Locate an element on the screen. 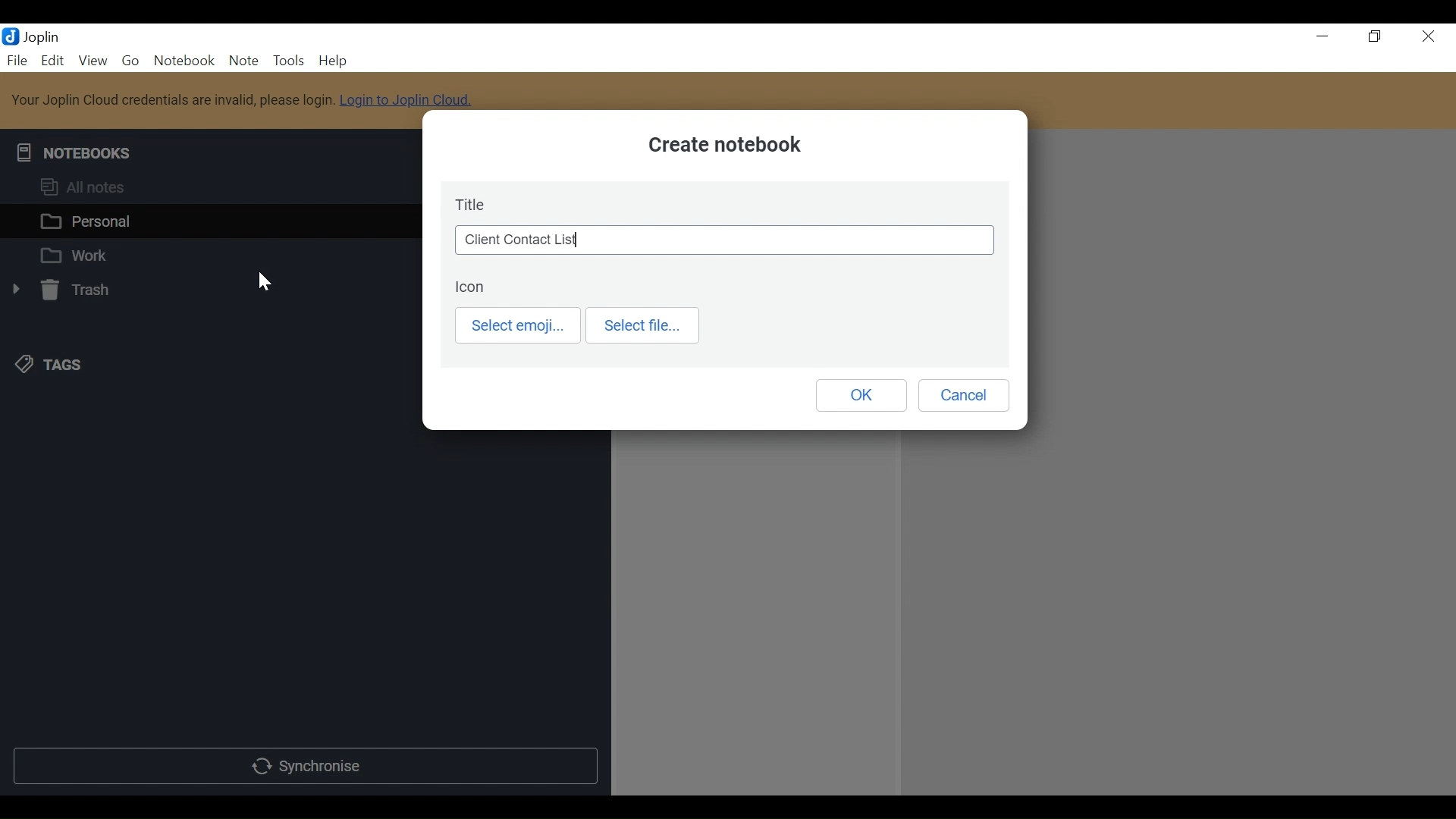 The image size is (1456, 819). Trash is located at coordinates (64, 292).